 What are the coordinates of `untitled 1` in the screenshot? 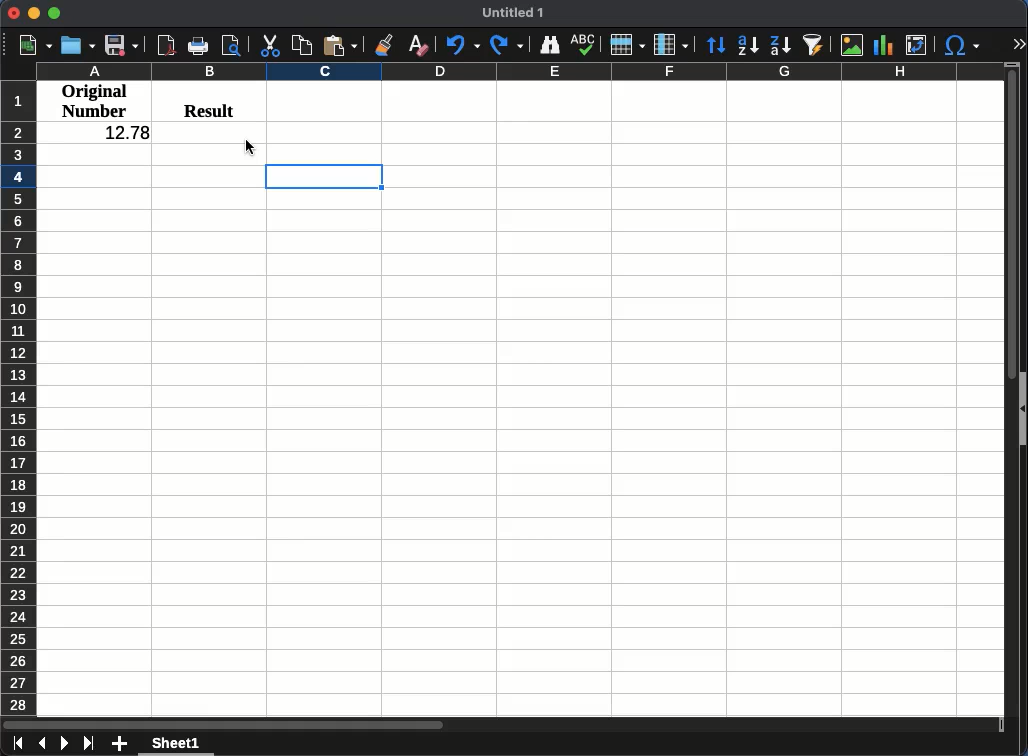 It's located at (515, 12).